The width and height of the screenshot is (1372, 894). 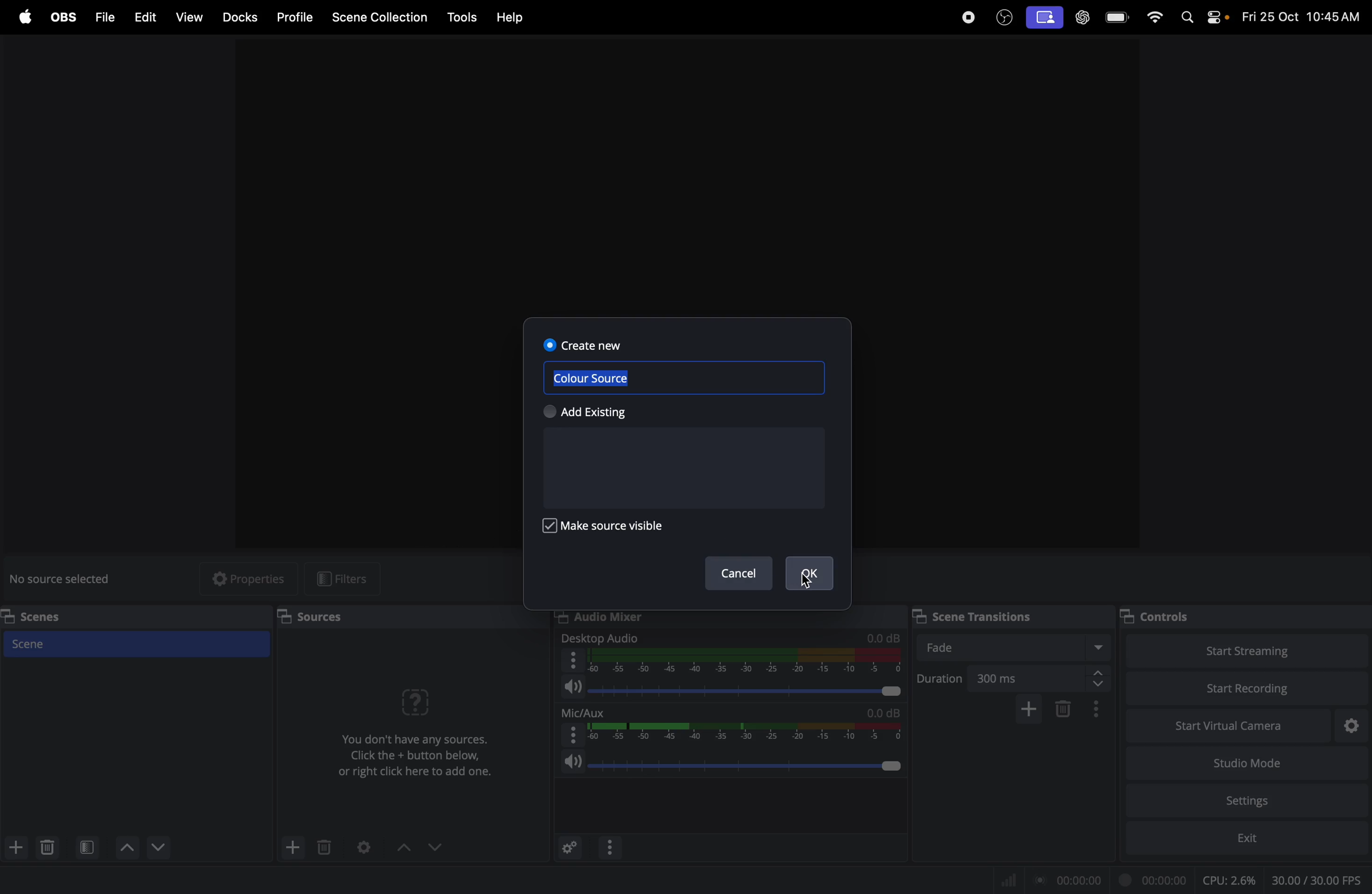 I want to click on options, so click(x=610, y=847).